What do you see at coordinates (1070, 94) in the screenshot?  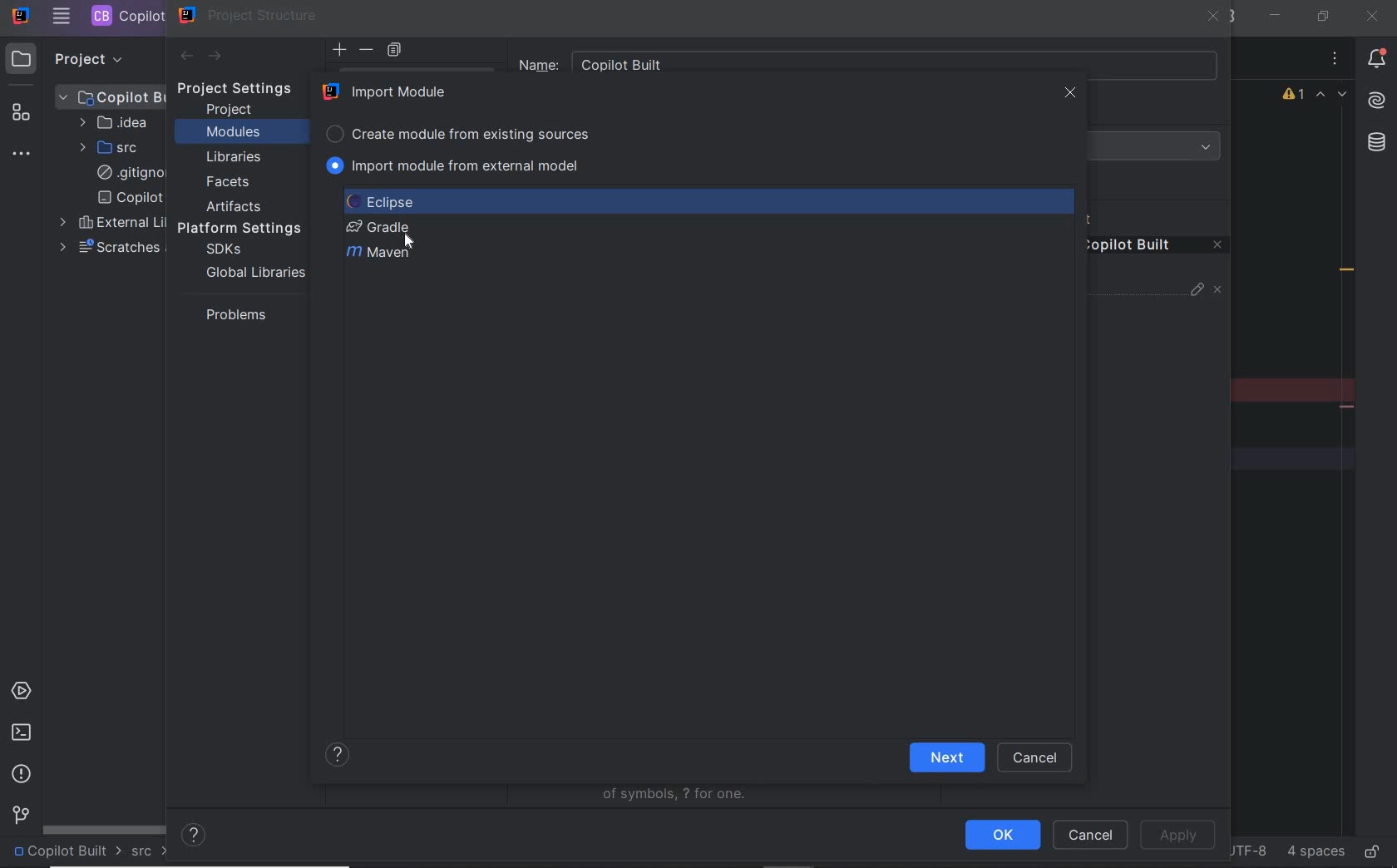 I see `close` at bounding box center [1070, 94].